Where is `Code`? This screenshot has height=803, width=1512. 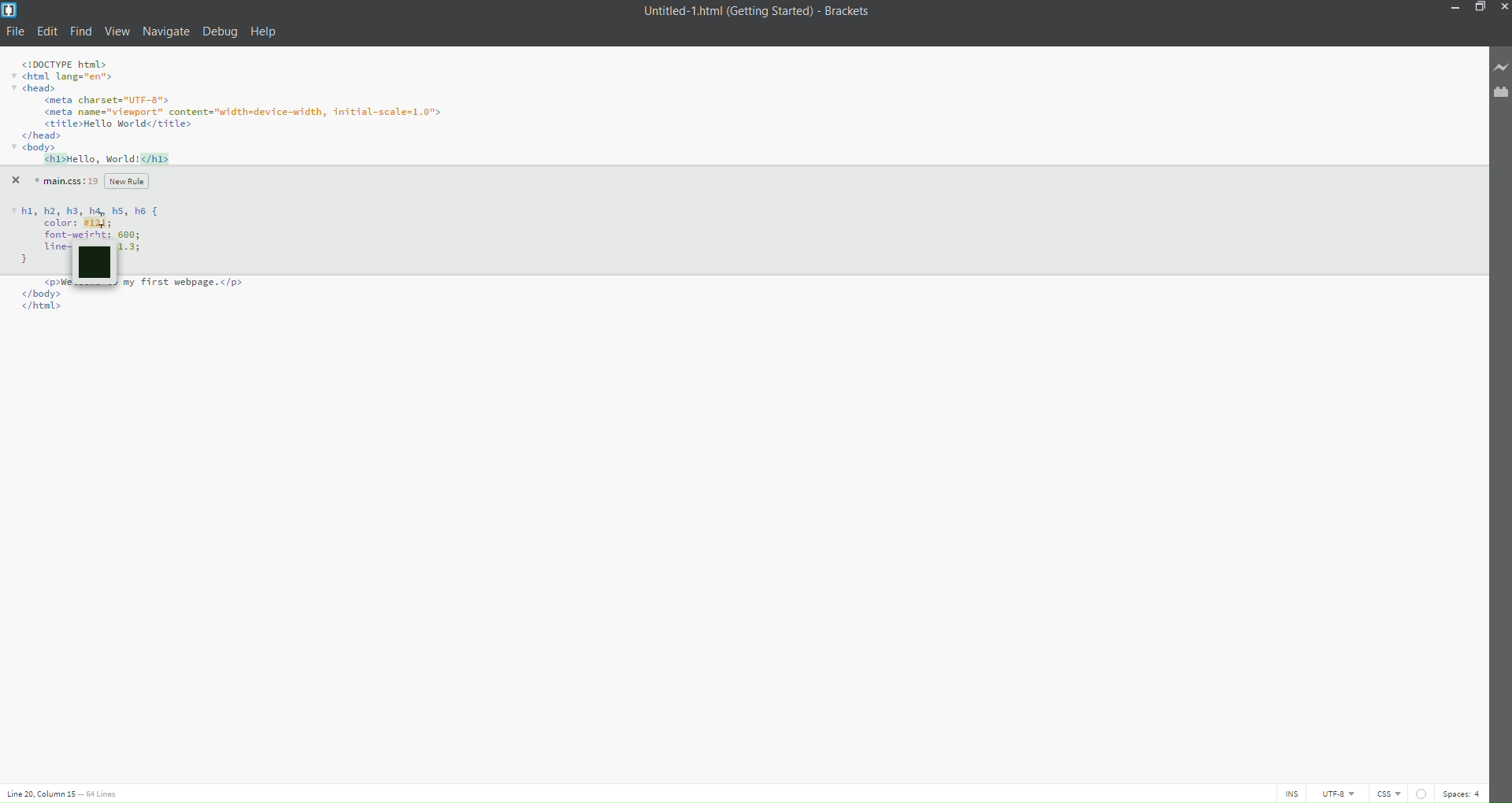 Code is located at coordinates (94, 220).